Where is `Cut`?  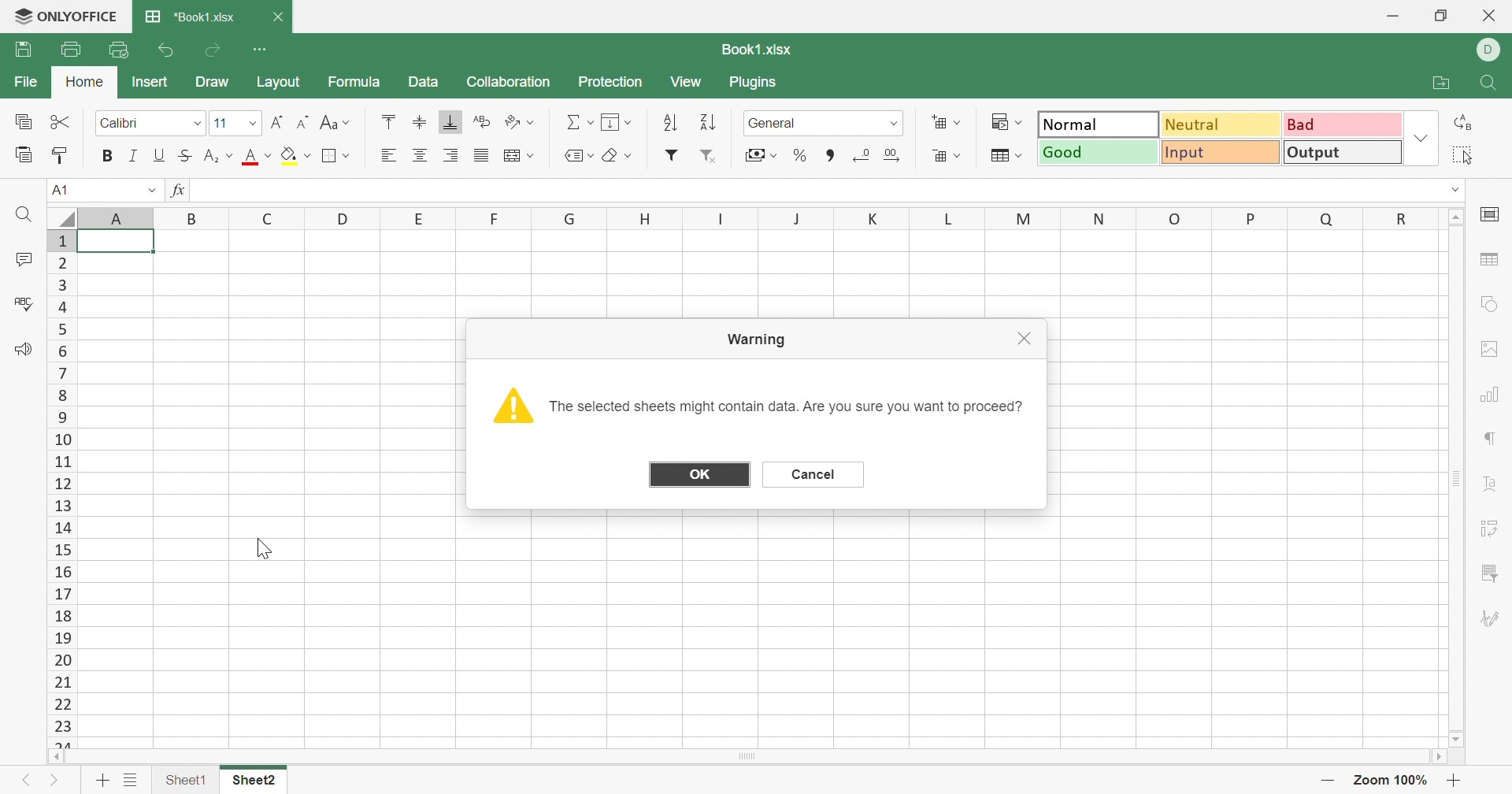 Cut is located at coordinates (61, 121).